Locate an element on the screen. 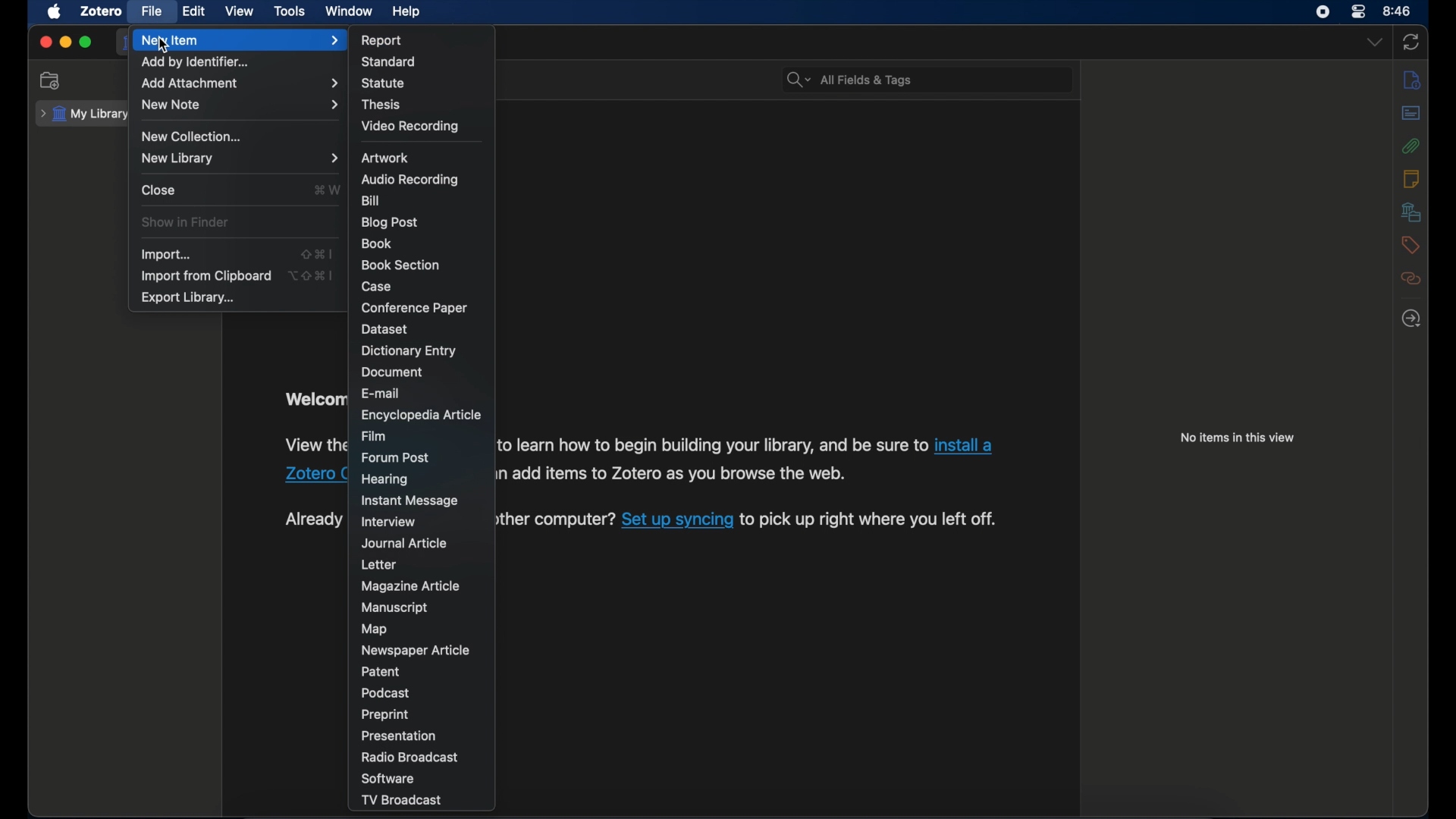 This screenshot has width=1456, height=819. screen recorder is located at coordinates (1323, 12).